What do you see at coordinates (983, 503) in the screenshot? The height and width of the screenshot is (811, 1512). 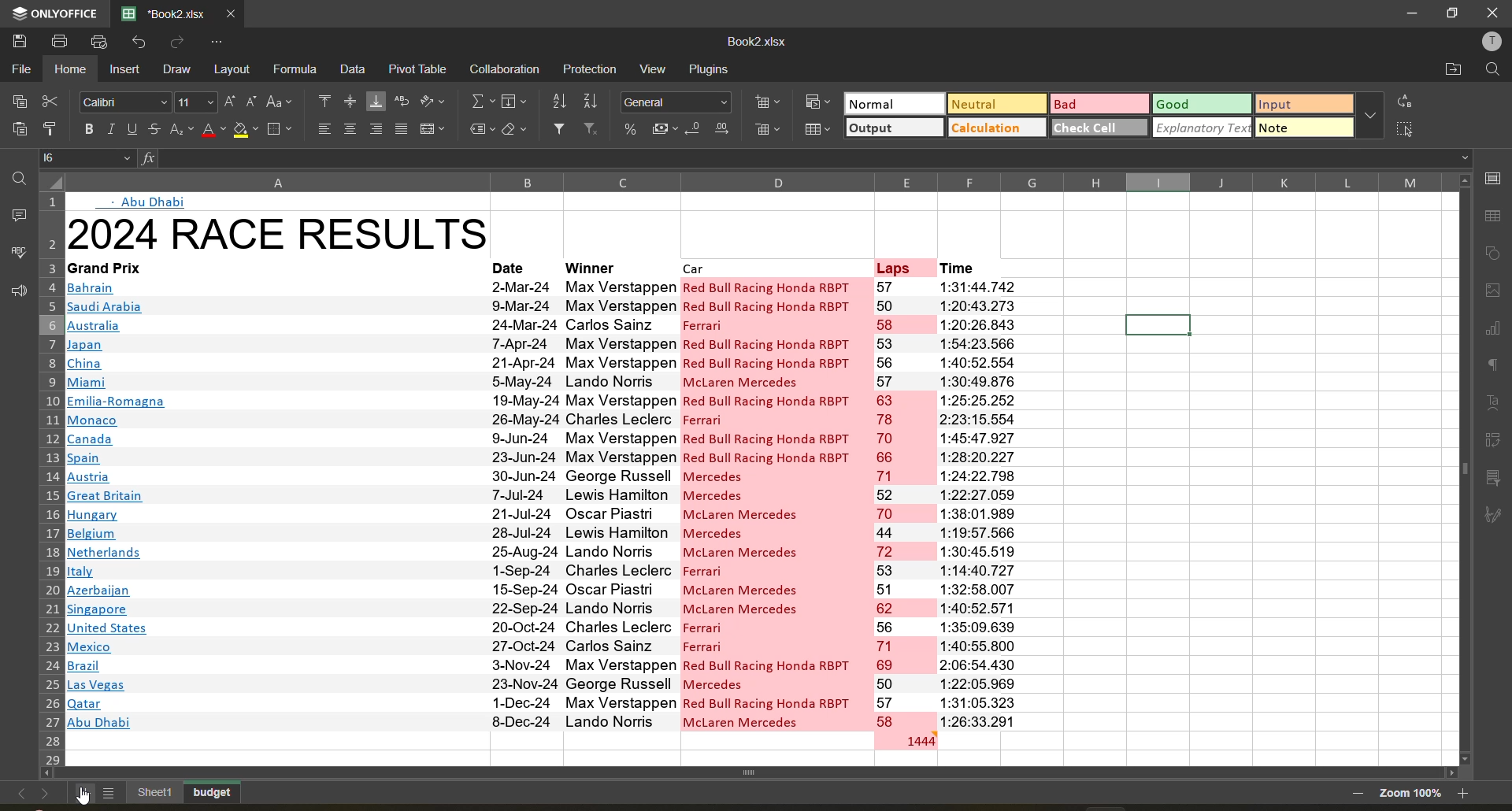 I see `time` at bounding box center [983, 503].